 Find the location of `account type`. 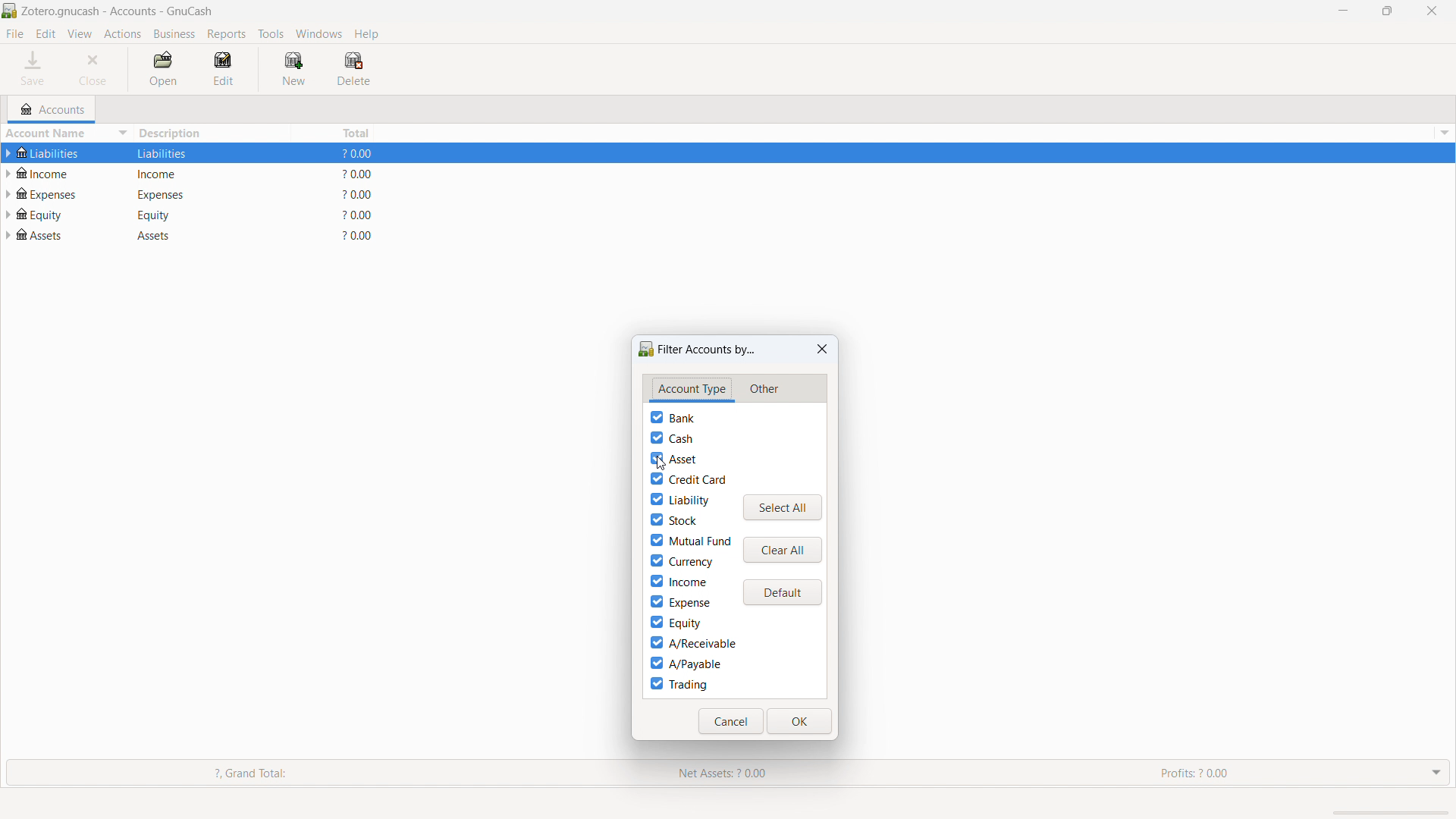

account type is located at coordinates (692, 389).